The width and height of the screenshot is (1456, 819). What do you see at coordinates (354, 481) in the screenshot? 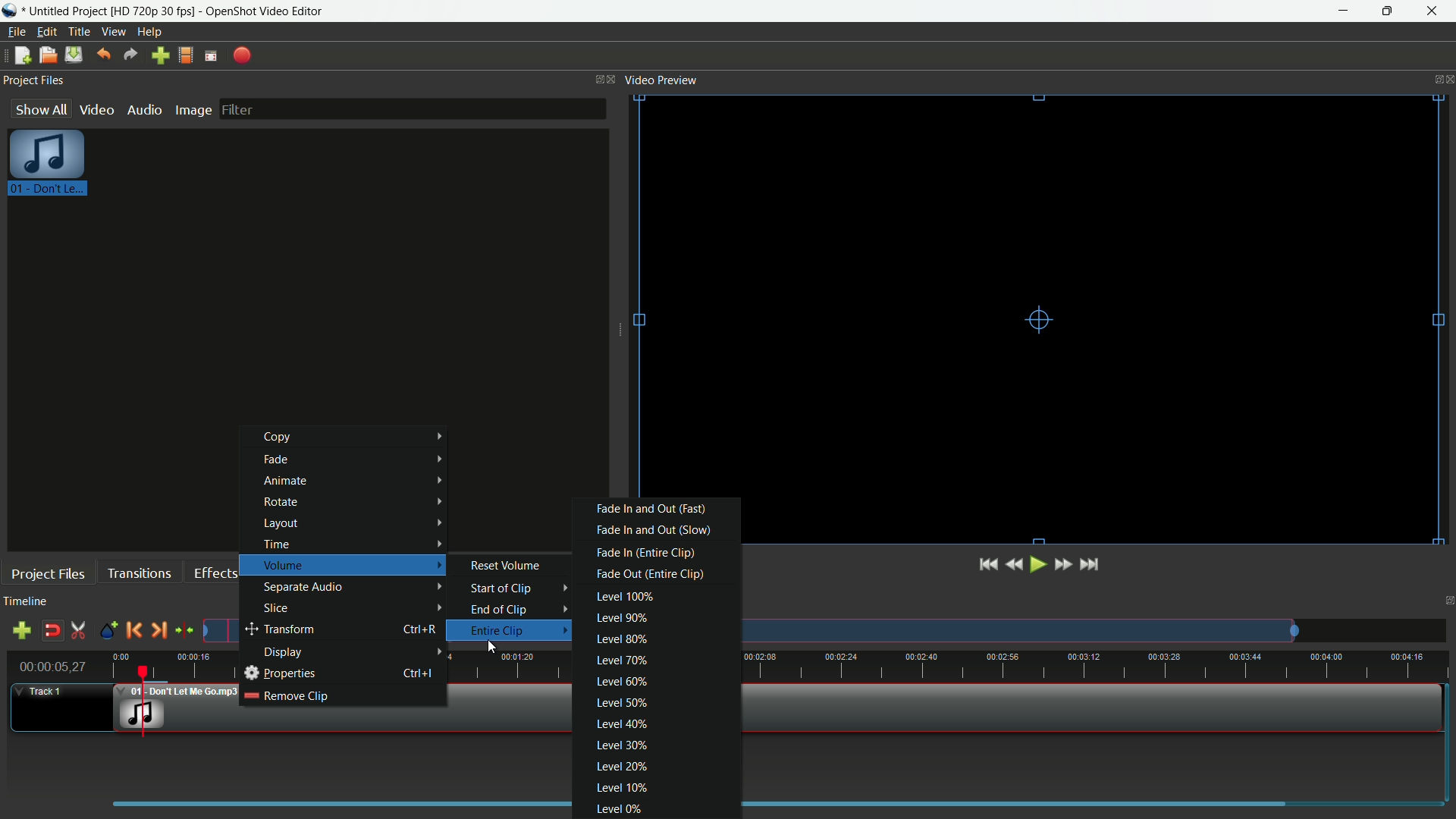
I see `animate` at bounding box center [354, 481].